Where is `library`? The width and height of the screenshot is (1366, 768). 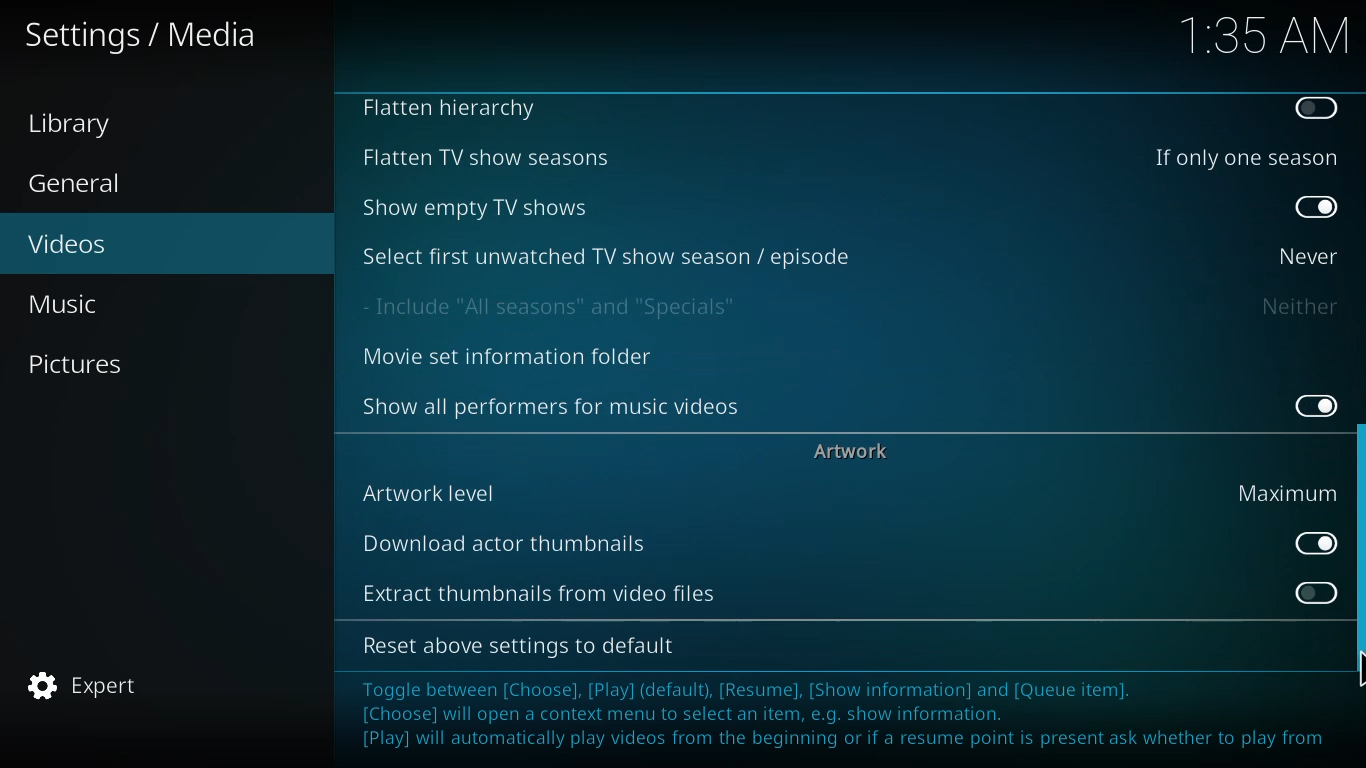
library is located at coordinates (77, 124).